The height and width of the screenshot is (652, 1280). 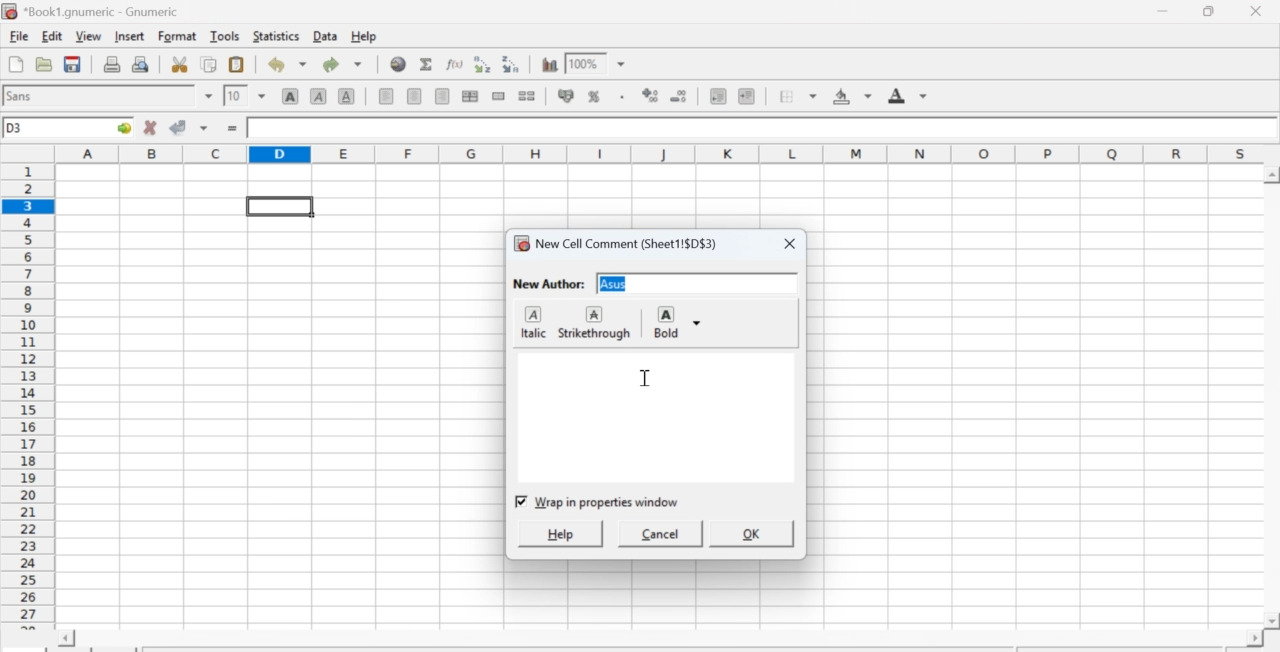 What do you see at coordinates (212, 65) in the screenshot?
I see `Copy` at bounding box center [212, 65].